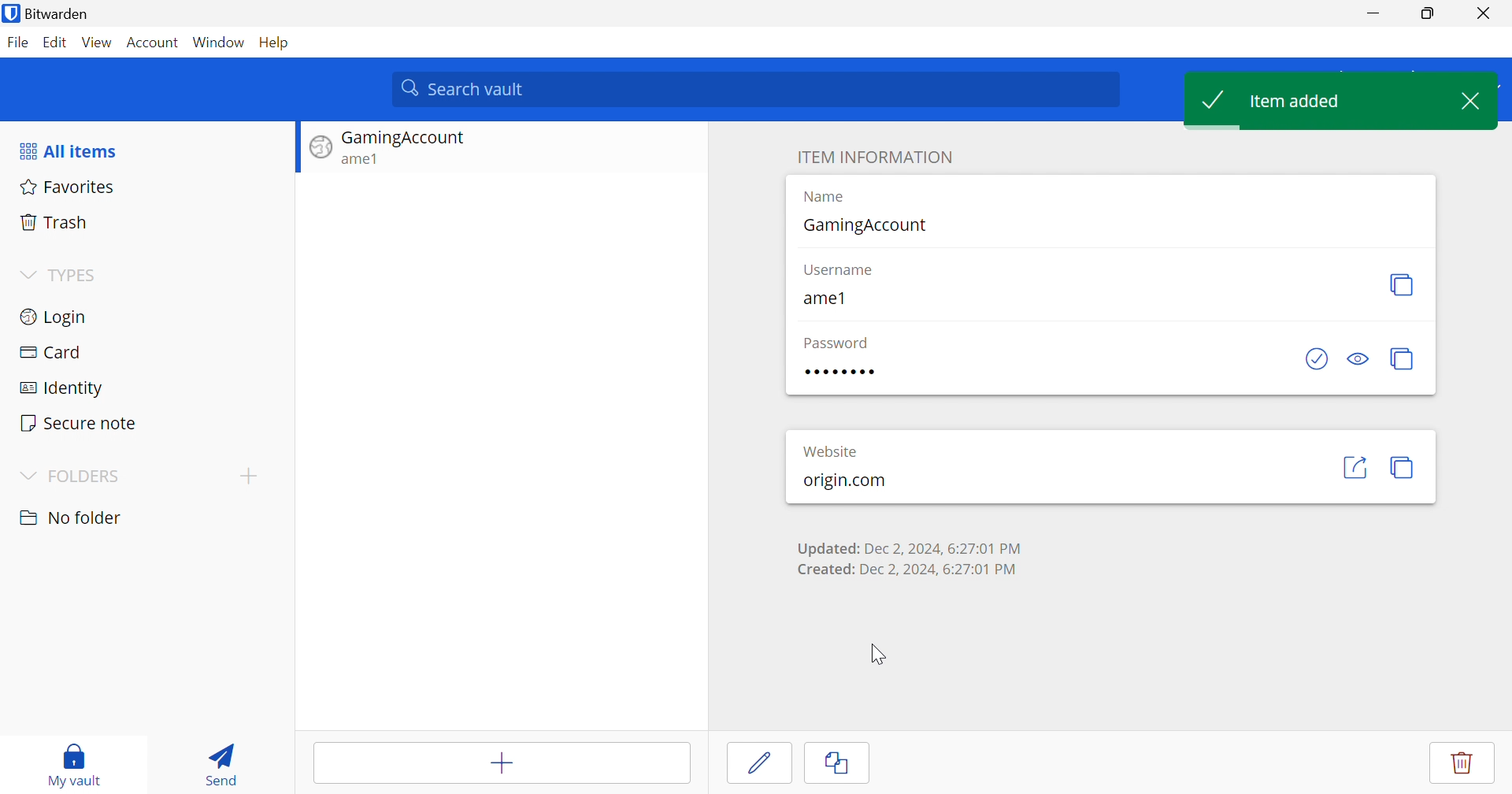 This screenshot has height=794, width=1512. What do you see at coordinates (873, 158) in the screenshot?
I see `ITEM INFORMATION` at bounding box center [873, 158].